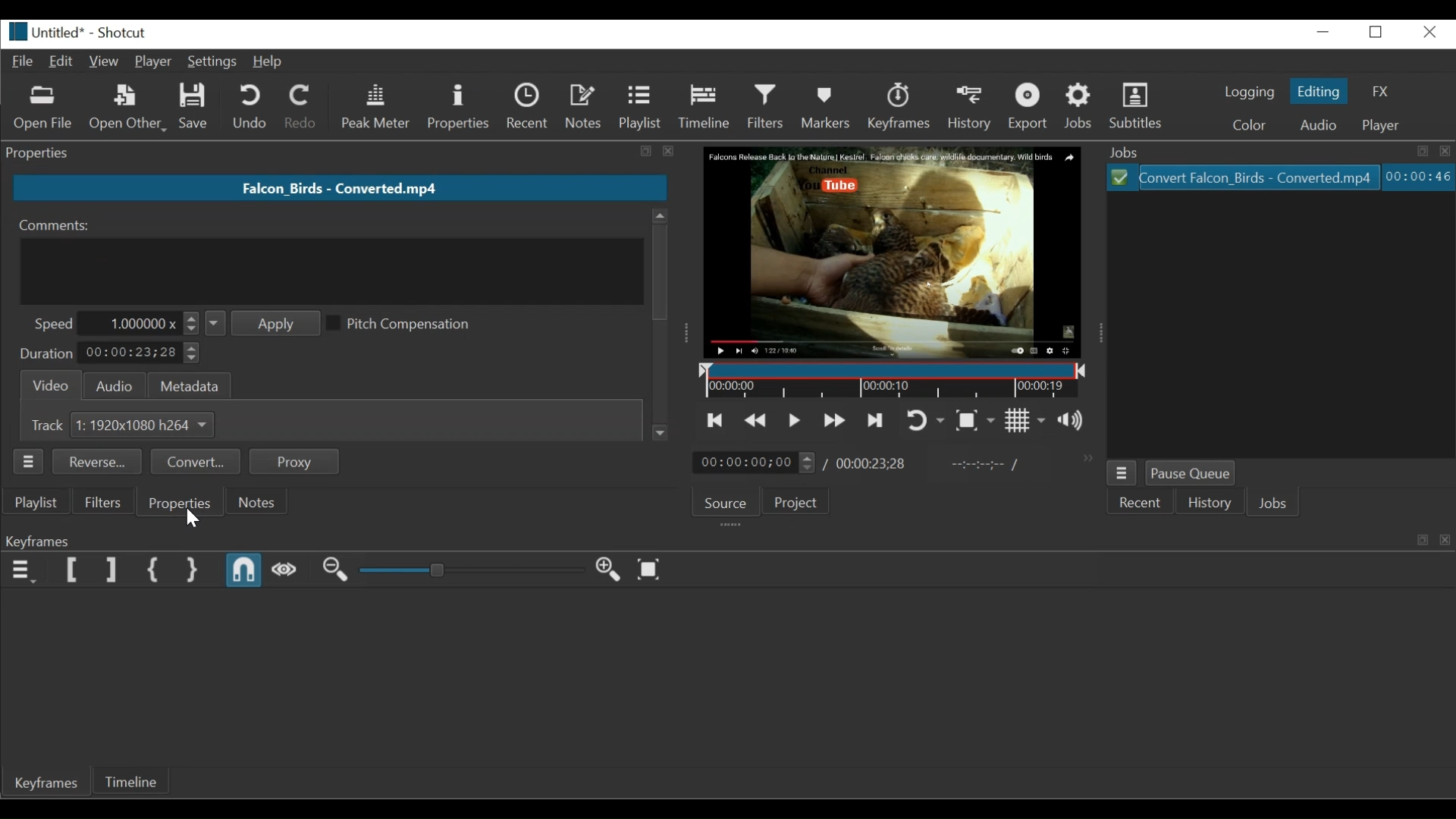 The height and width of the screenshot is (819, 1456). I want to click on Subtitles, so click(1139, 108).